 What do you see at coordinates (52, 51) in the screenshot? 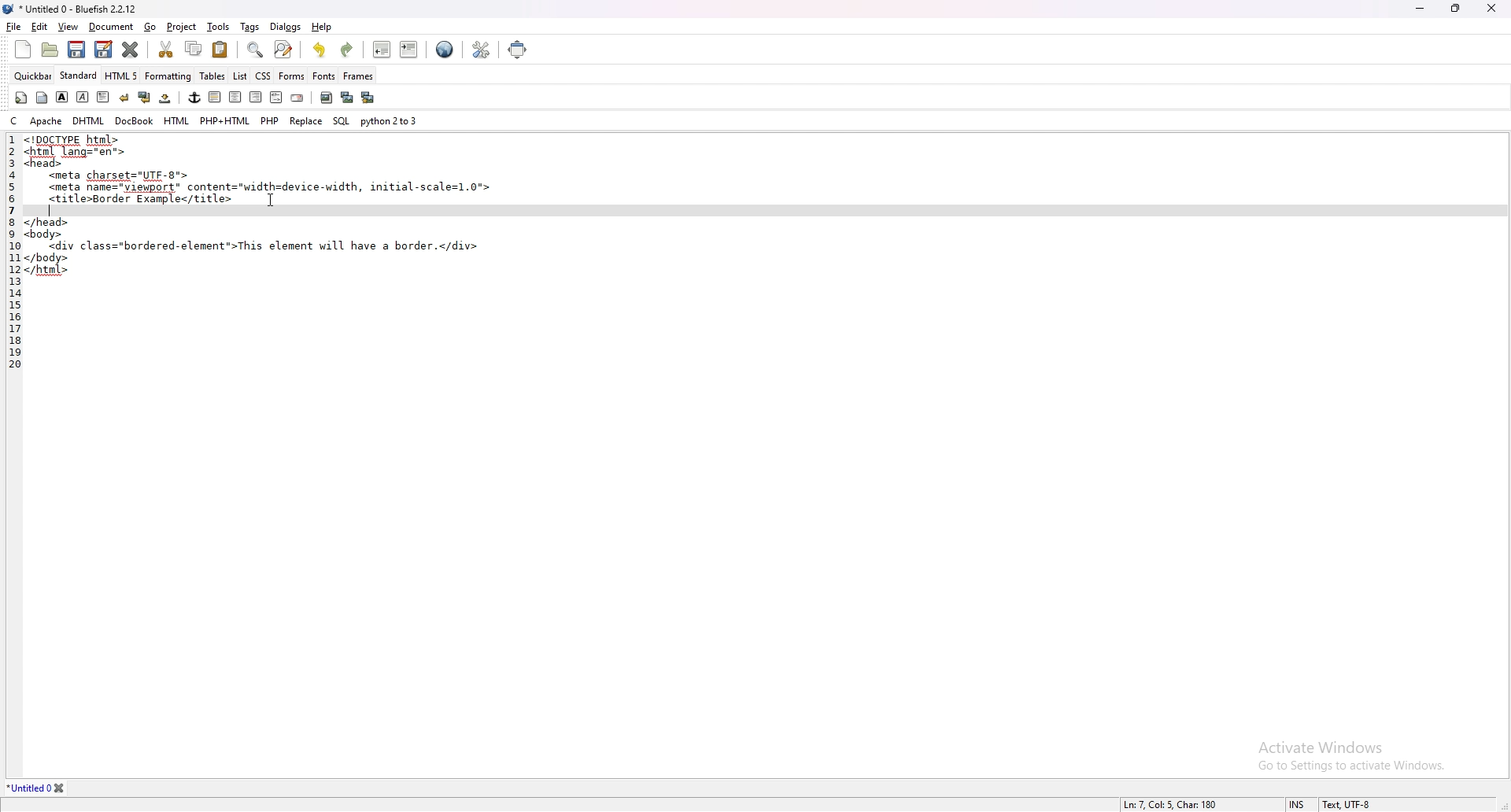
I see `open` at bounding box center [52, 51].